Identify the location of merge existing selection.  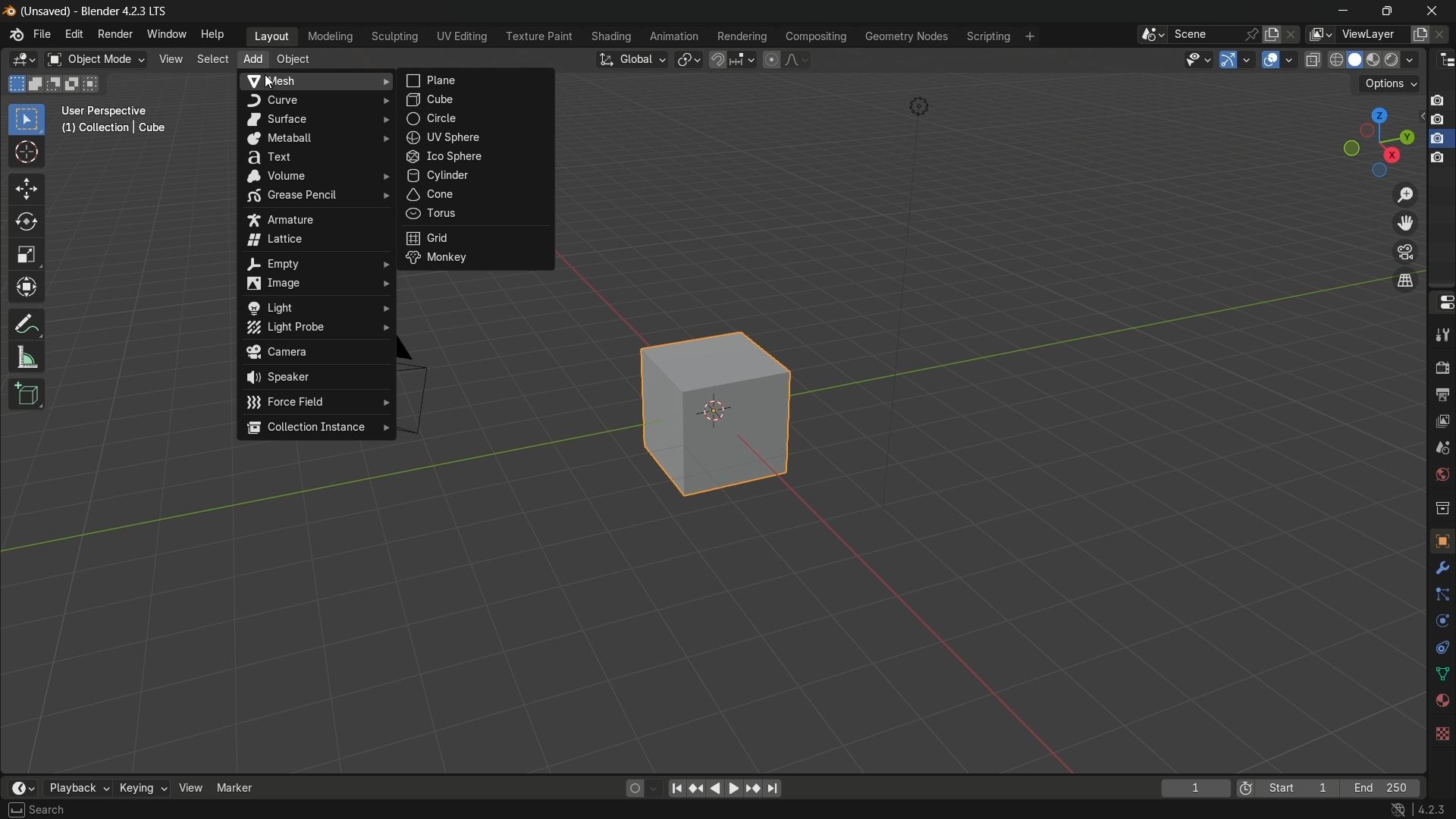
(94, 84).